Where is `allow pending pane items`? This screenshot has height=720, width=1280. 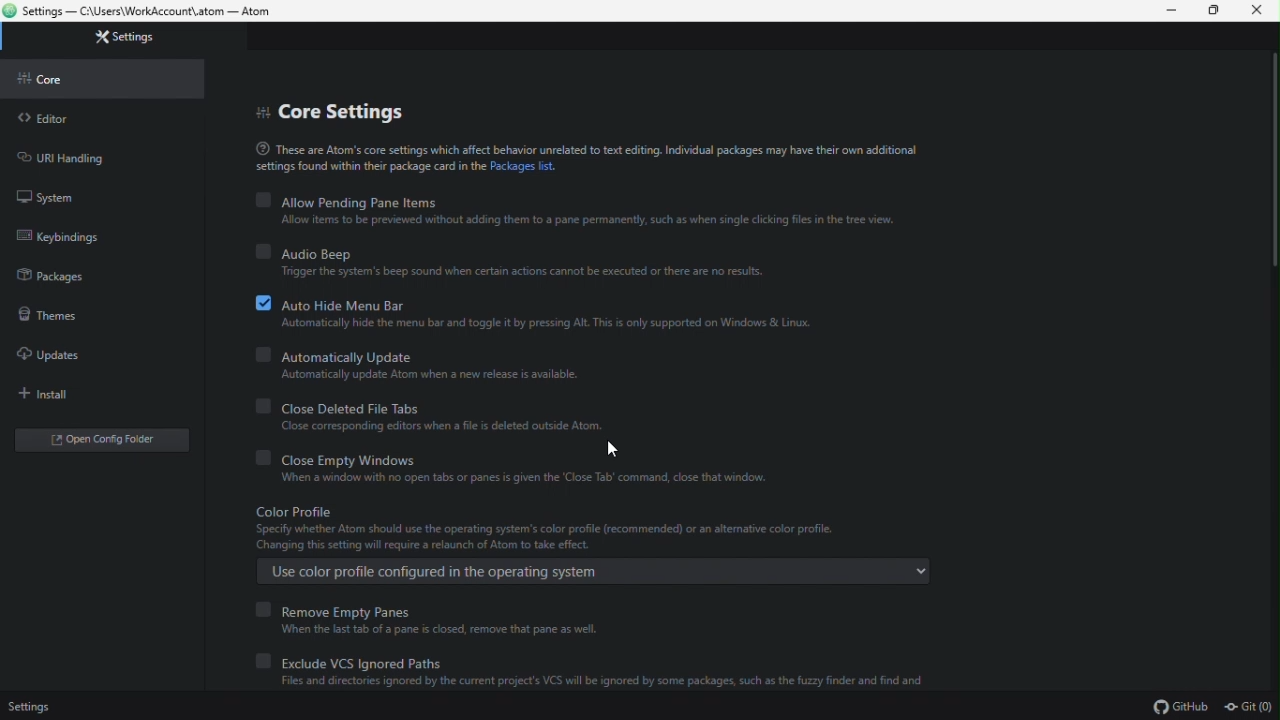
allow pending pane items is located at coordinates (575, 201).